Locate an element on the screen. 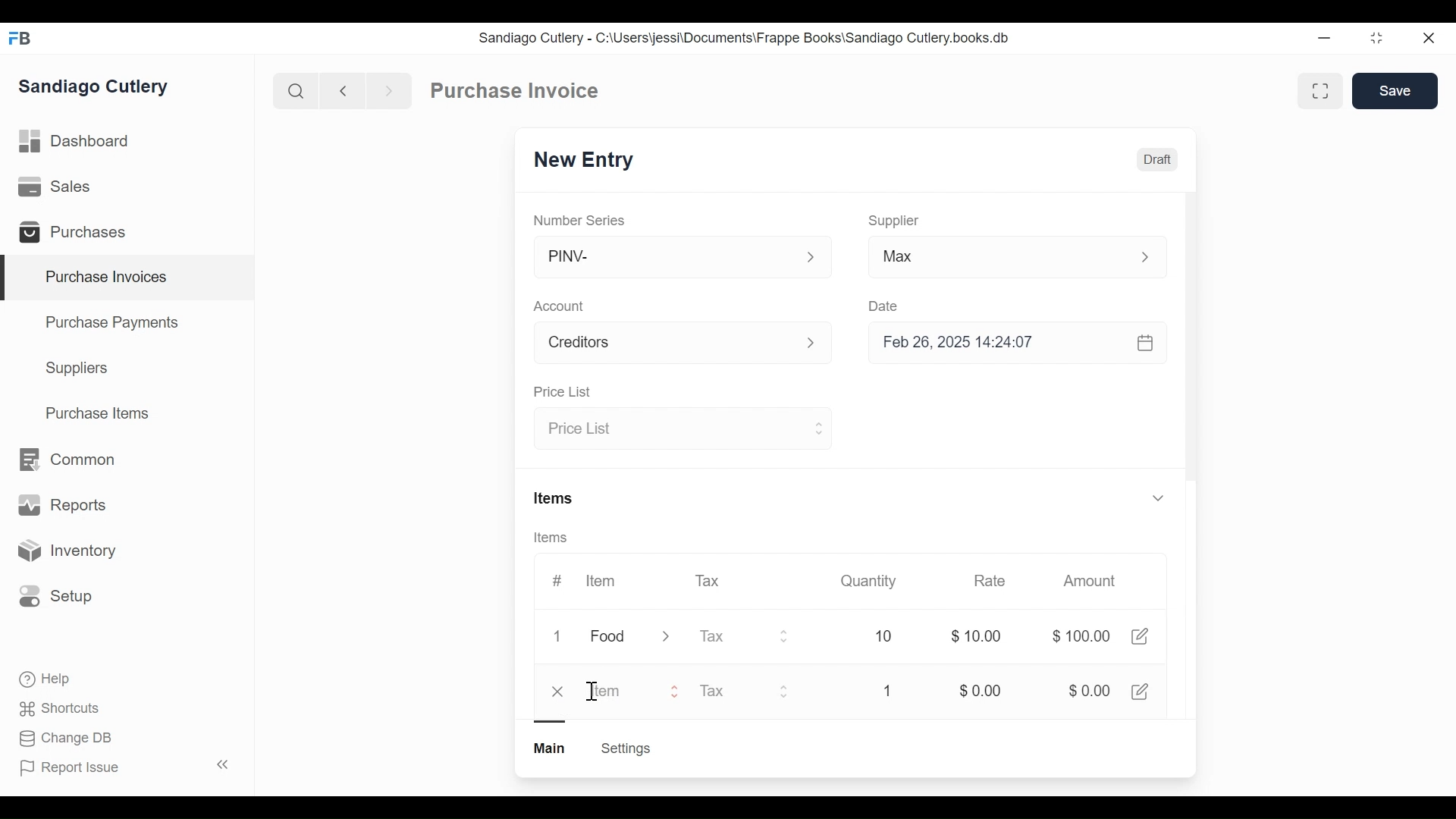  Items is located at coordinates (555, 500).